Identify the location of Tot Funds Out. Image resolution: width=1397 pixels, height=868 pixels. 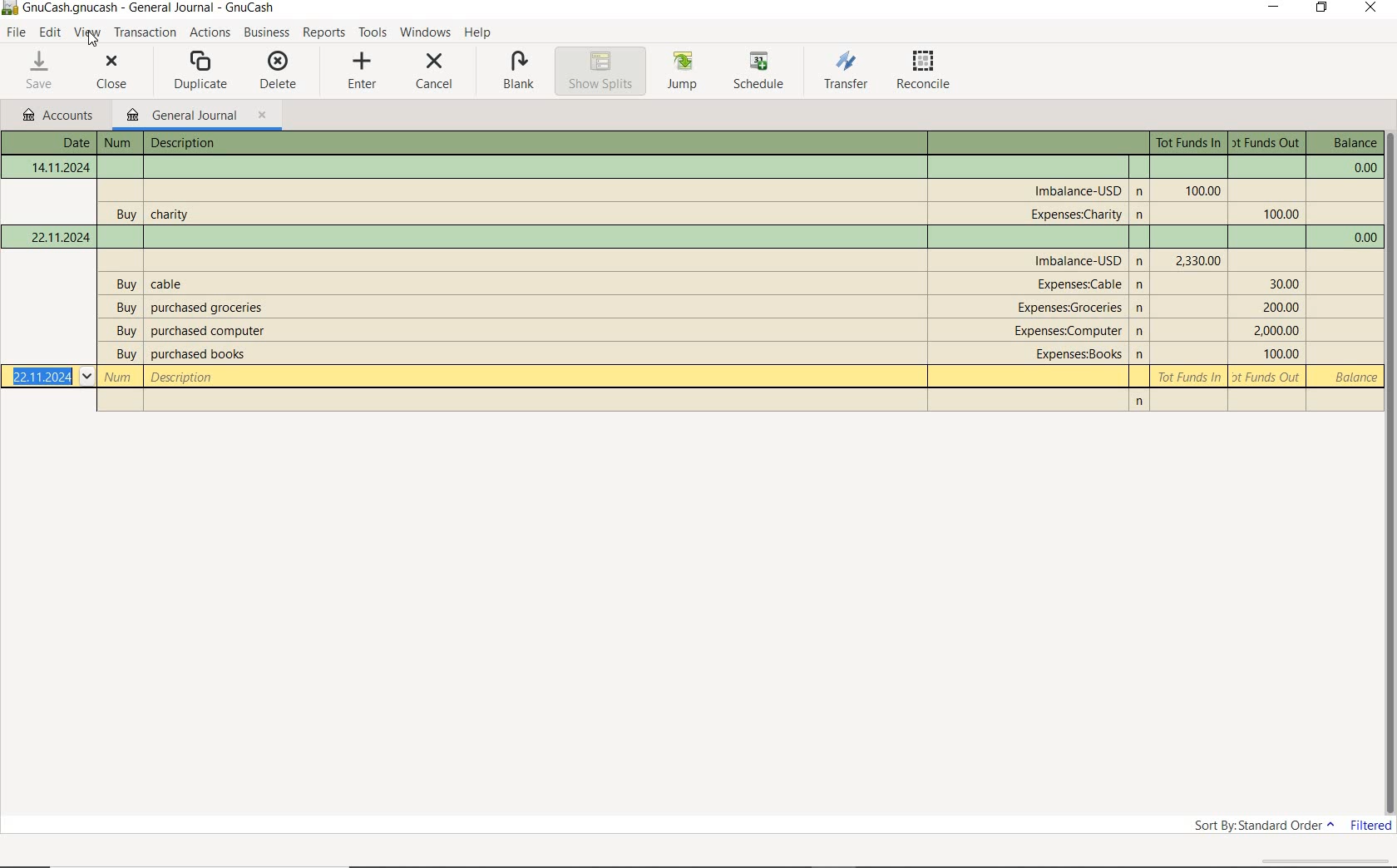
(1276, 330).